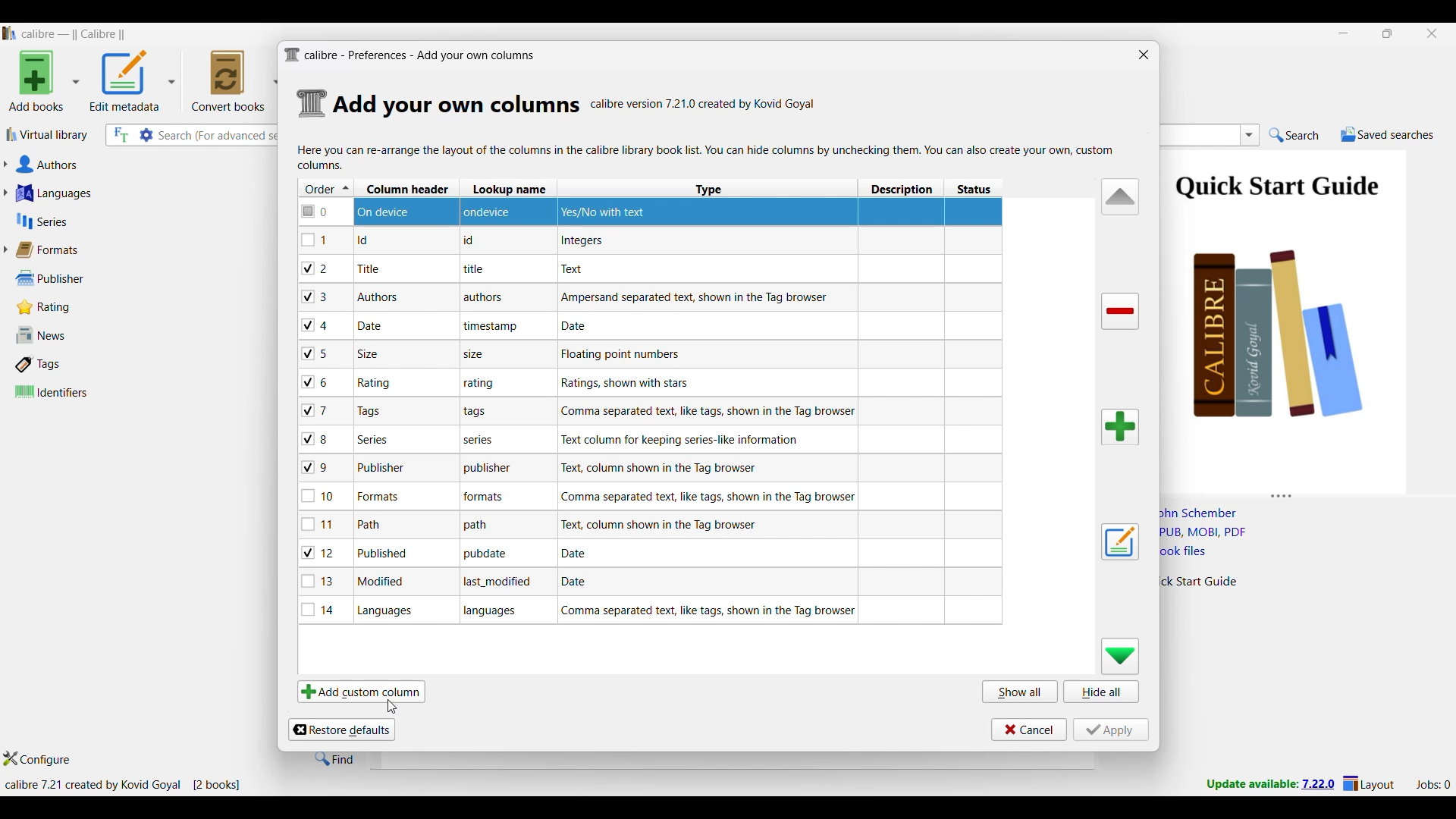 This screenshot has width=1456, height=819. I want to click on Layout settings, so click(1369, 783).